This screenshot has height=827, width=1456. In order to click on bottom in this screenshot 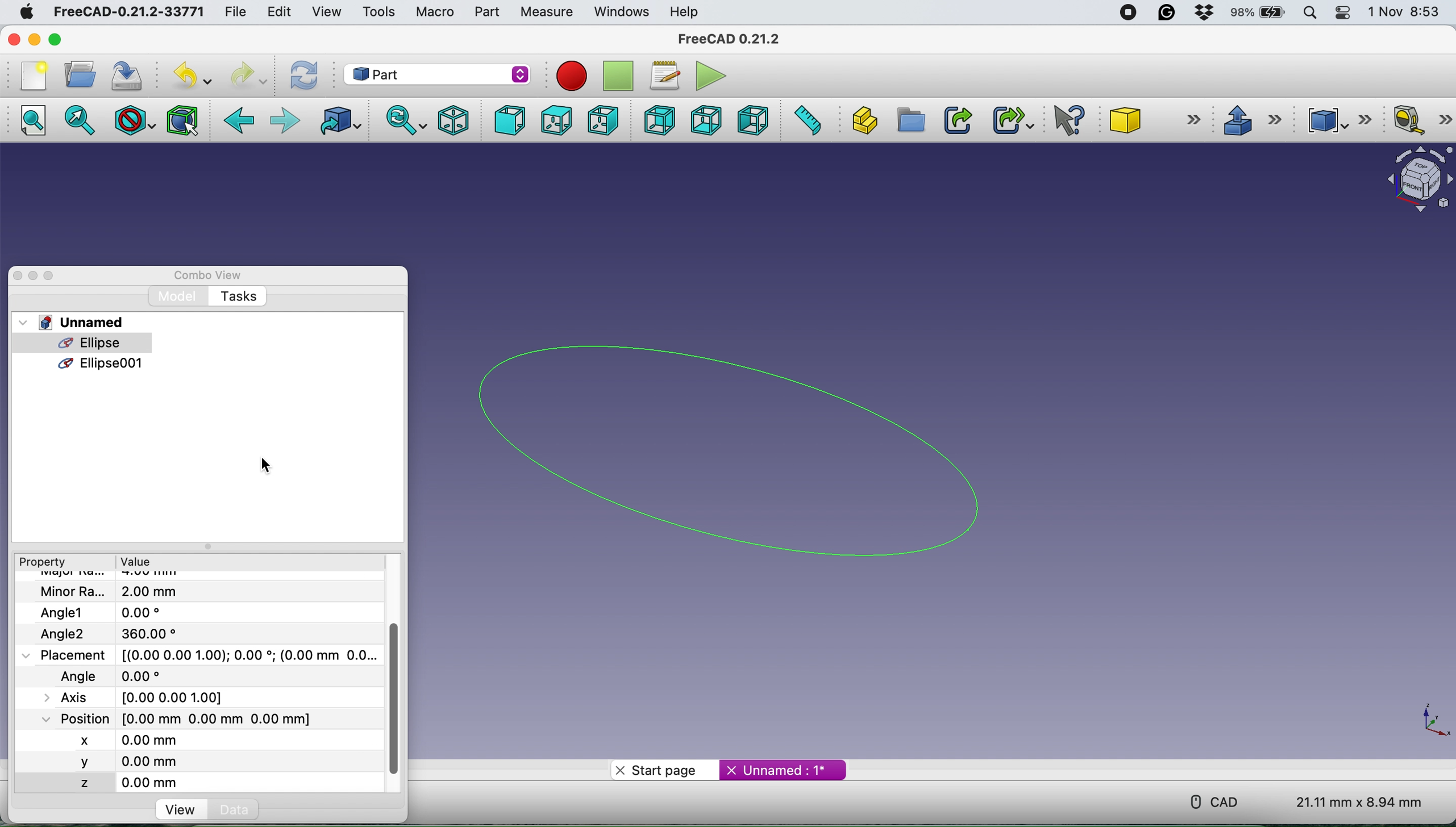, I will do `click(705, 121)`.